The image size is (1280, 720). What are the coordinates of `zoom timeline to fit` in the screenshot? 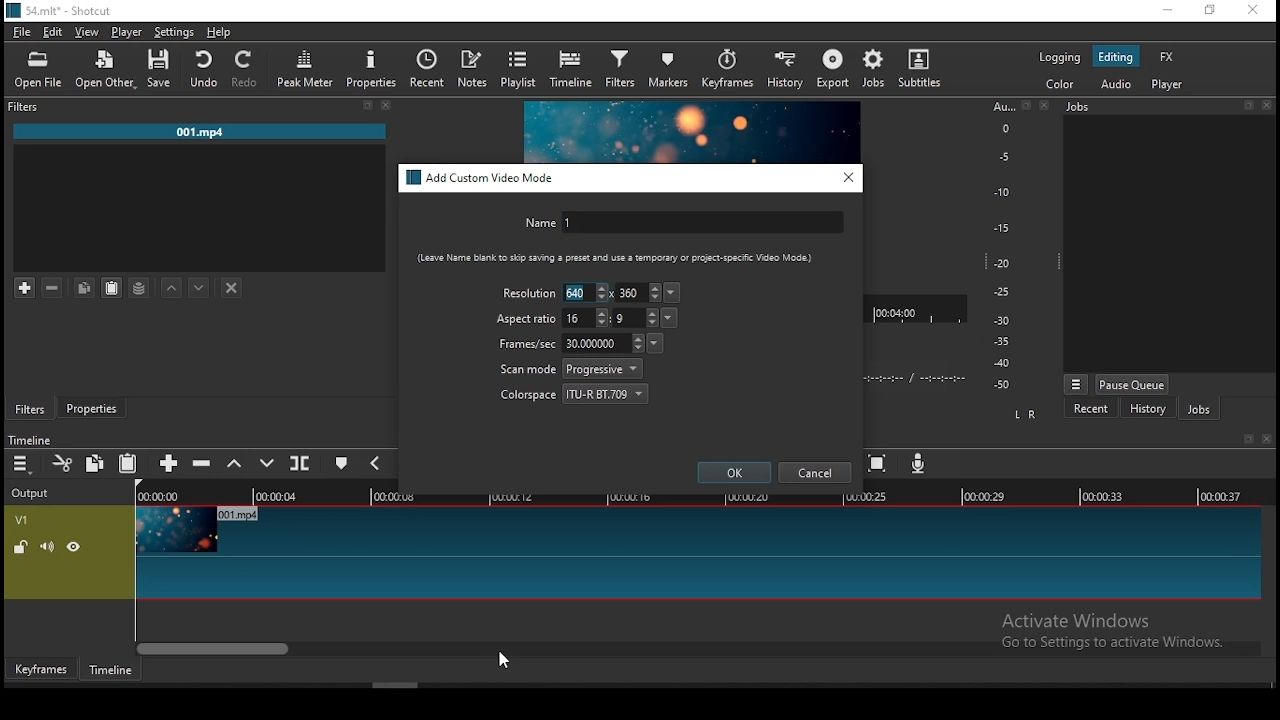 It's located at (879, 465).